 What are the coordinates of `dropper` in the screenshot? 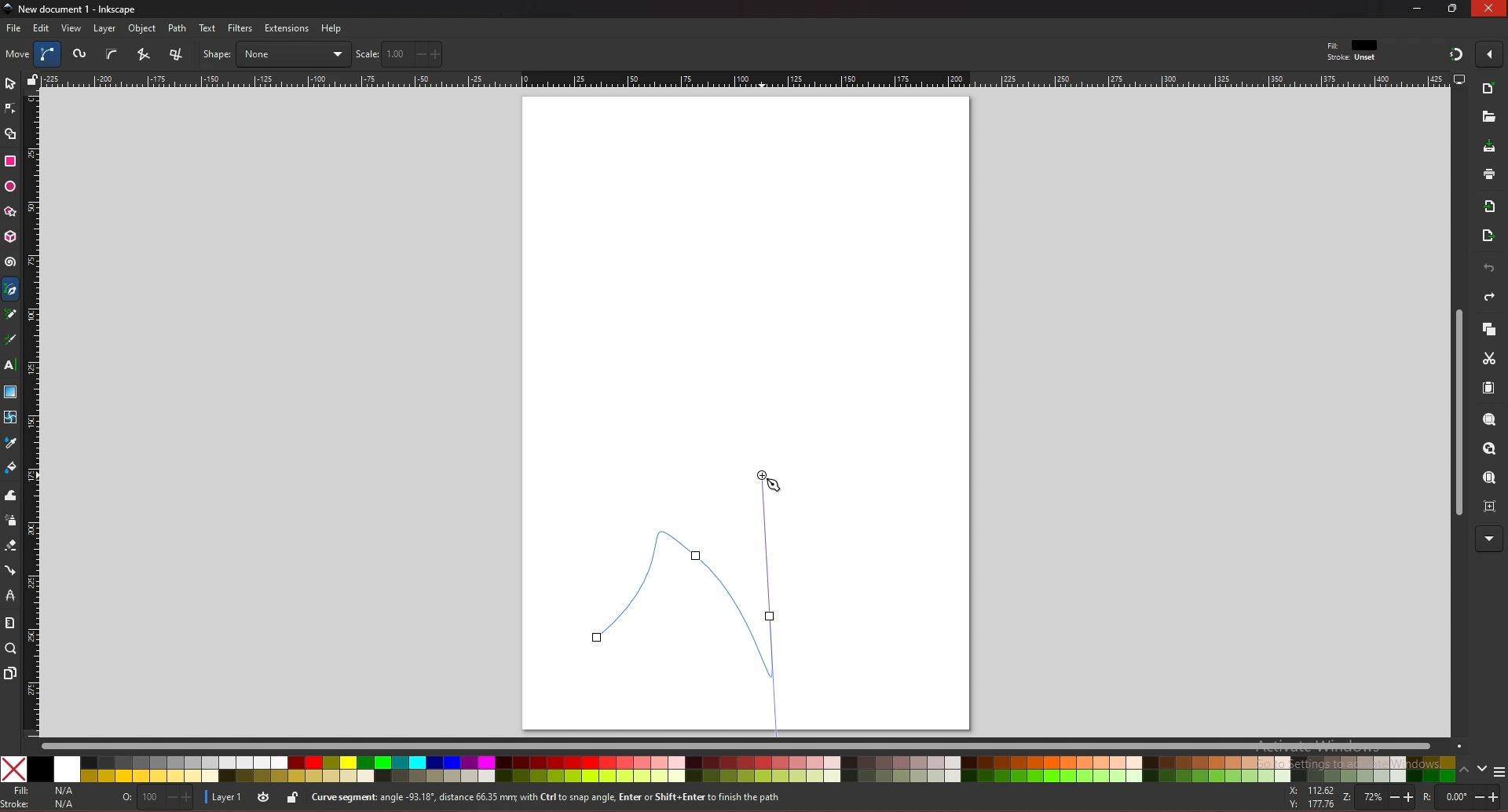 It's located at (11, 444).